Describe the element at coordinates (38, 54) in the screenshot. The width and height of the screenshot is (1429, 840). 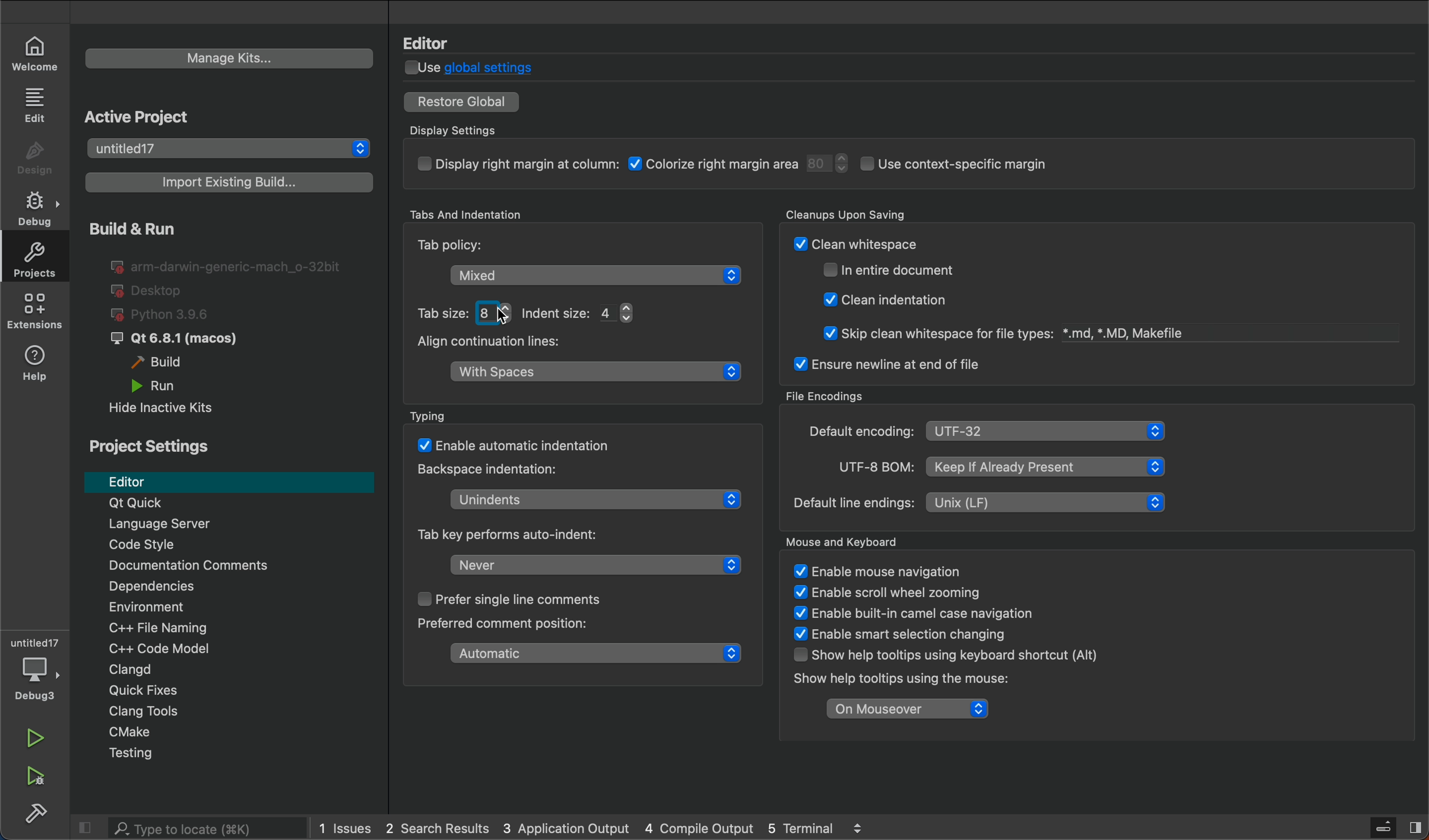
I see `welcome` at that location.